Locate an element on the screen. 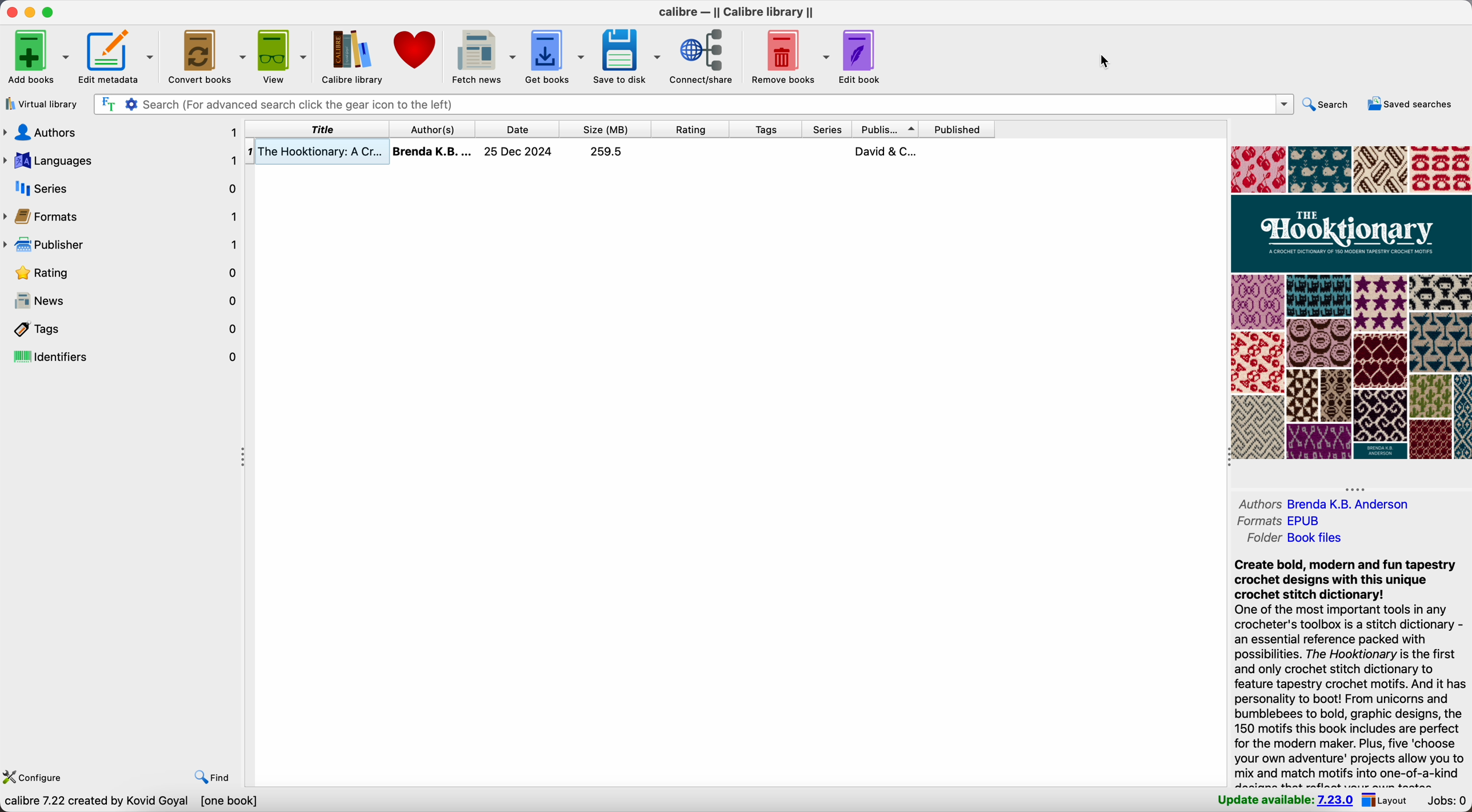 The width and height of the screenshot is (1472, 812). connect/share is located at coordinates (705, 56).